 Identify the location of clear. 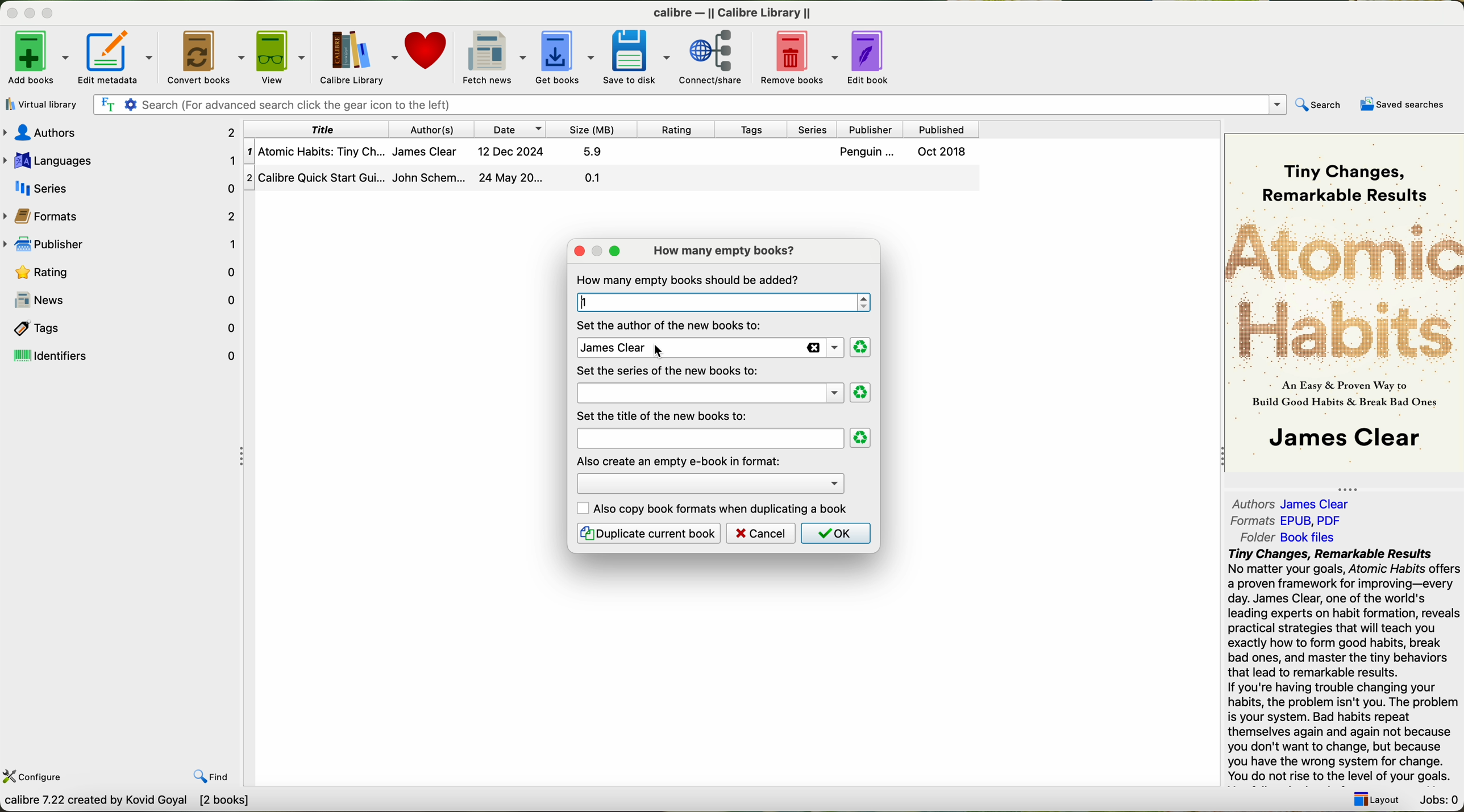
(860, 348).